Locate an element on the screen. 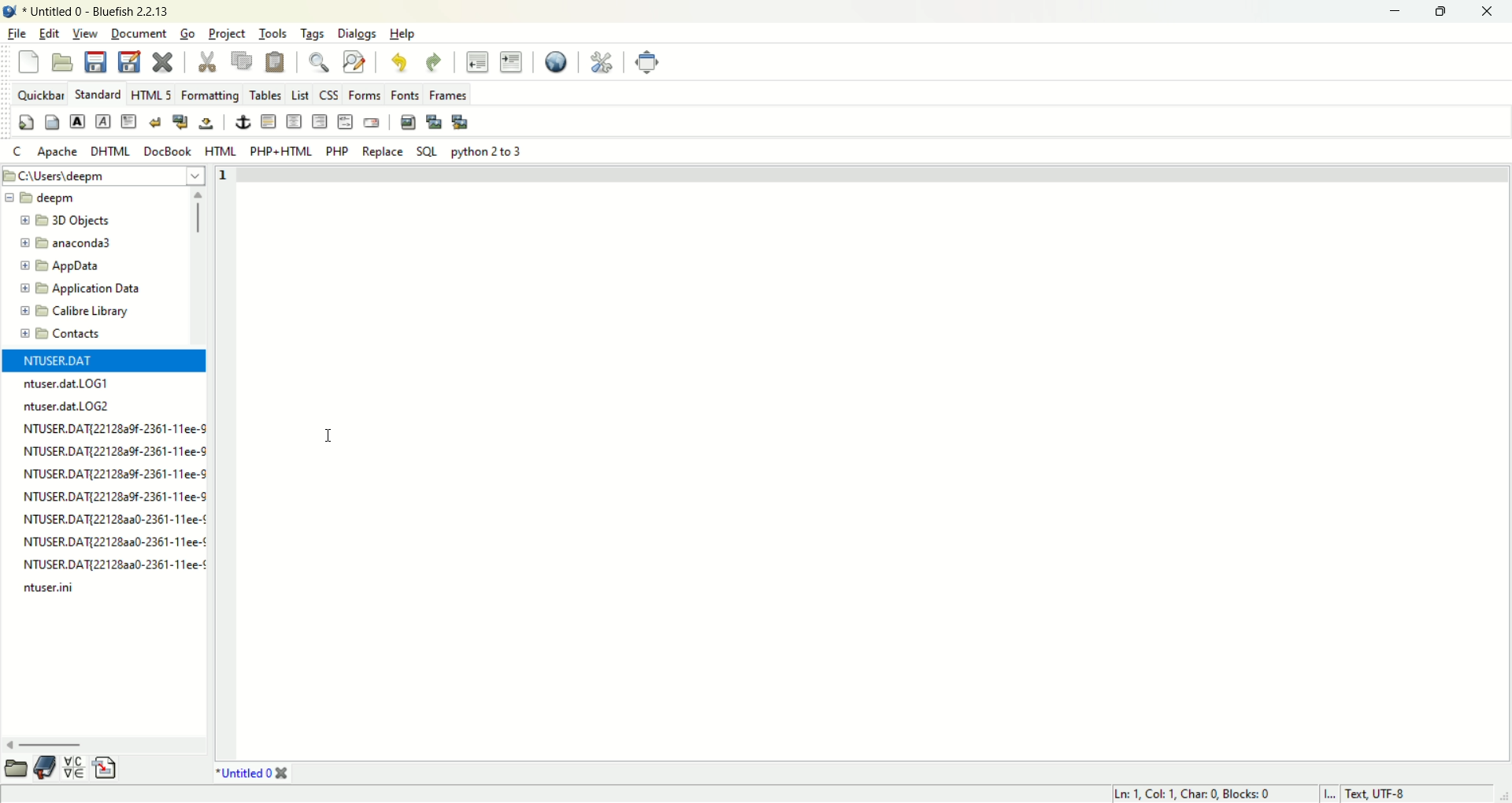 The image size is (1512, 803). character encoding is located at coordinates (1398, 794).